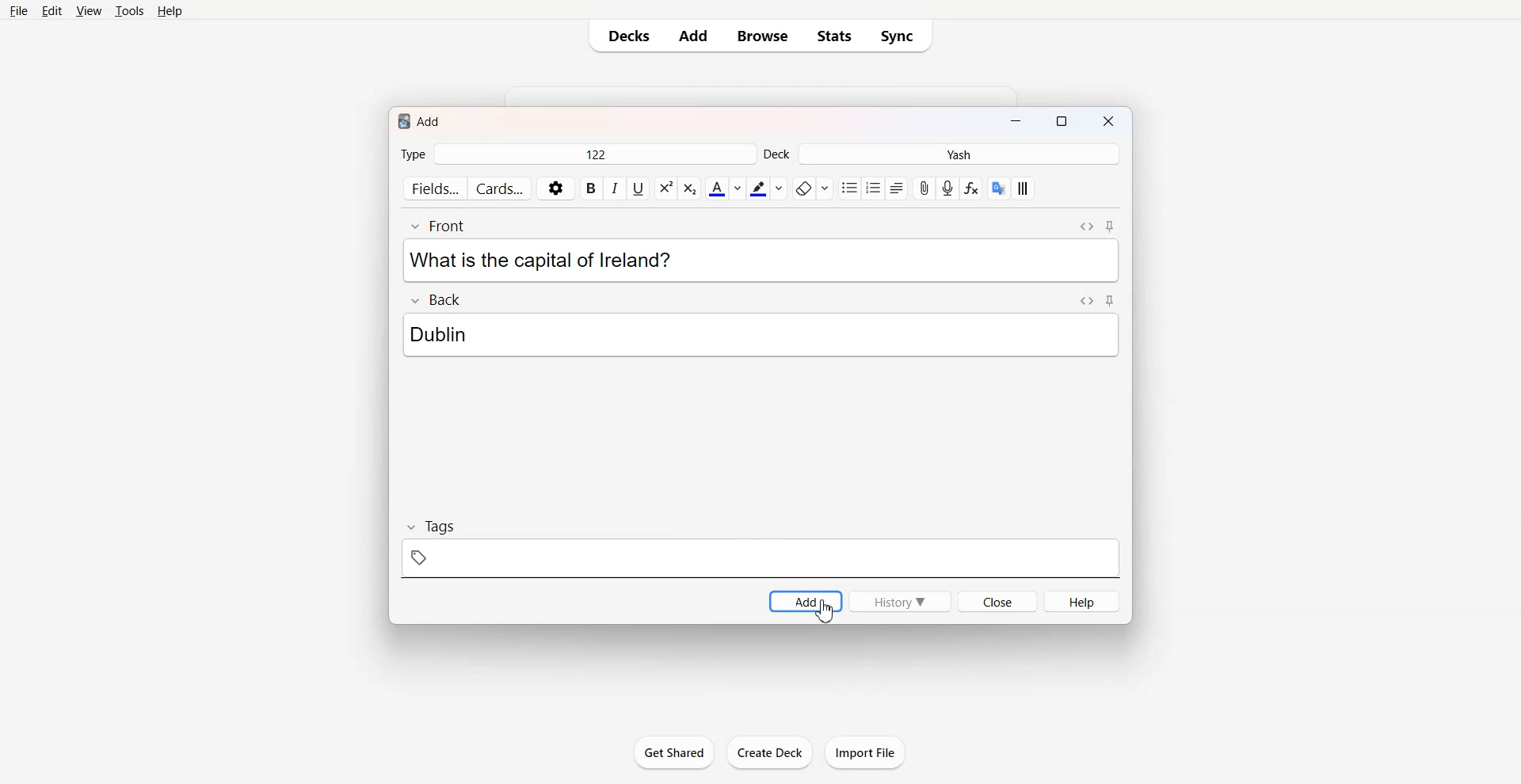  Describe the element at coordinates (689, 188) in the screenshot. I see `Superscript` at that location.